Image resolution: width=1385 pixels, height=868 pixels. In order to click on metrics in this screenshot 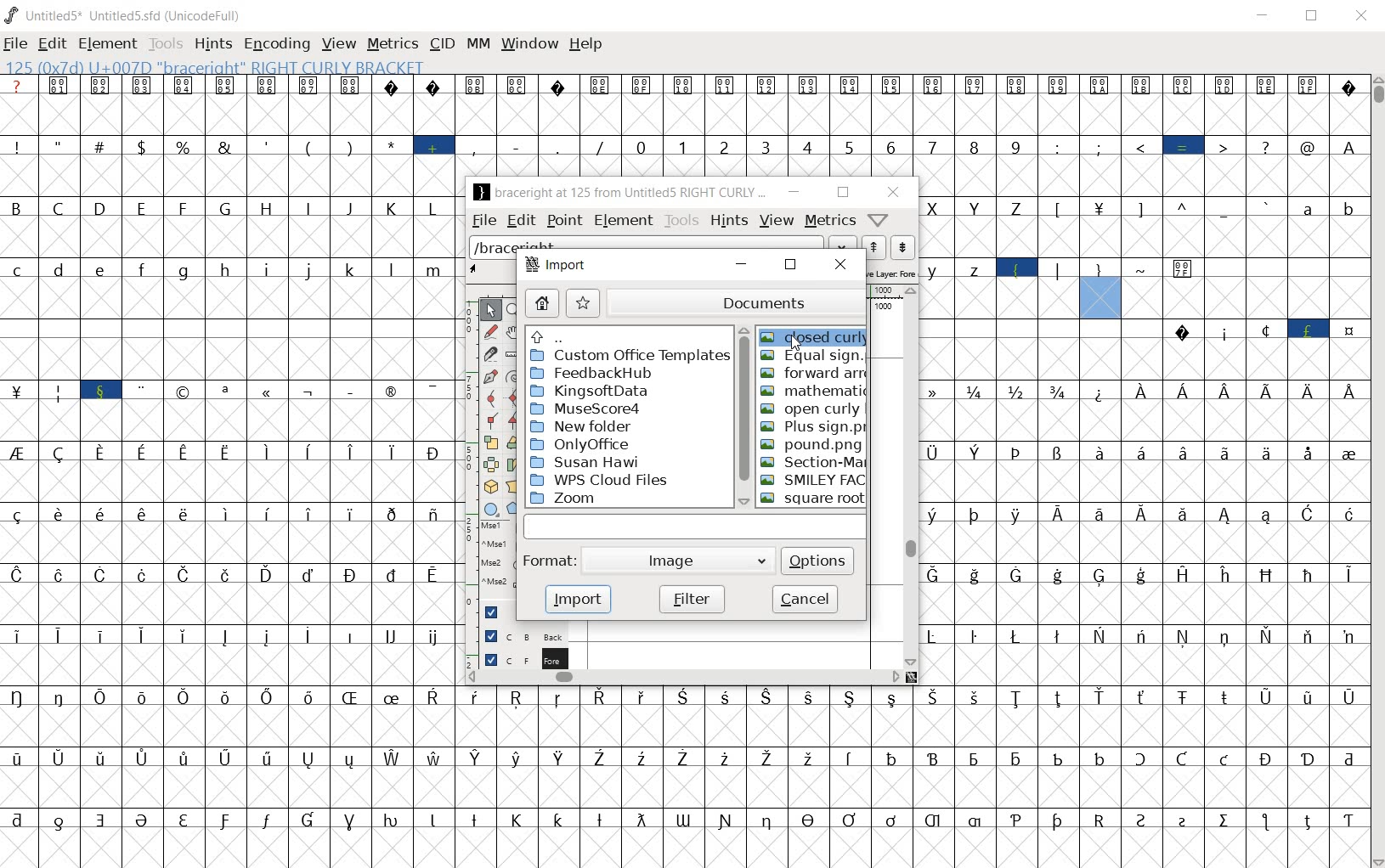, I will do `click(829, 222)`.